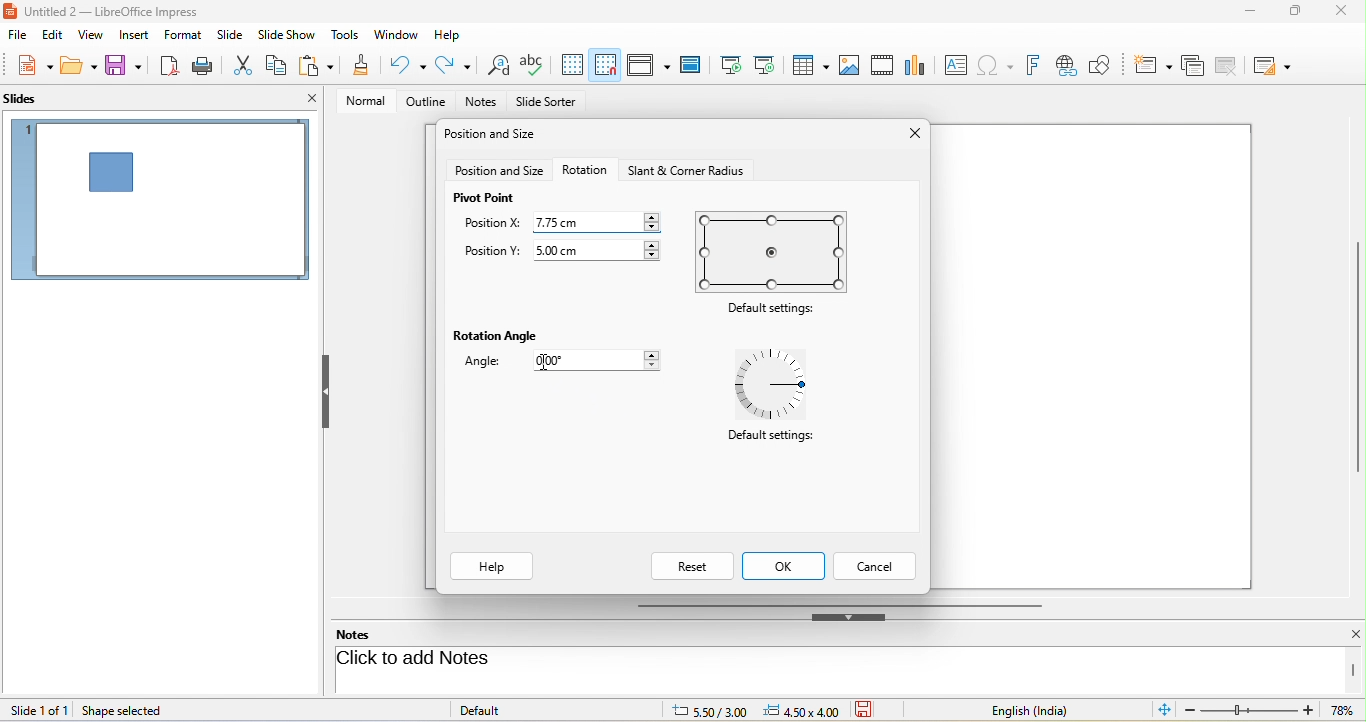 The width and height of the screenshot is (1366, 722). I want to click on insert, so click(132, 35).